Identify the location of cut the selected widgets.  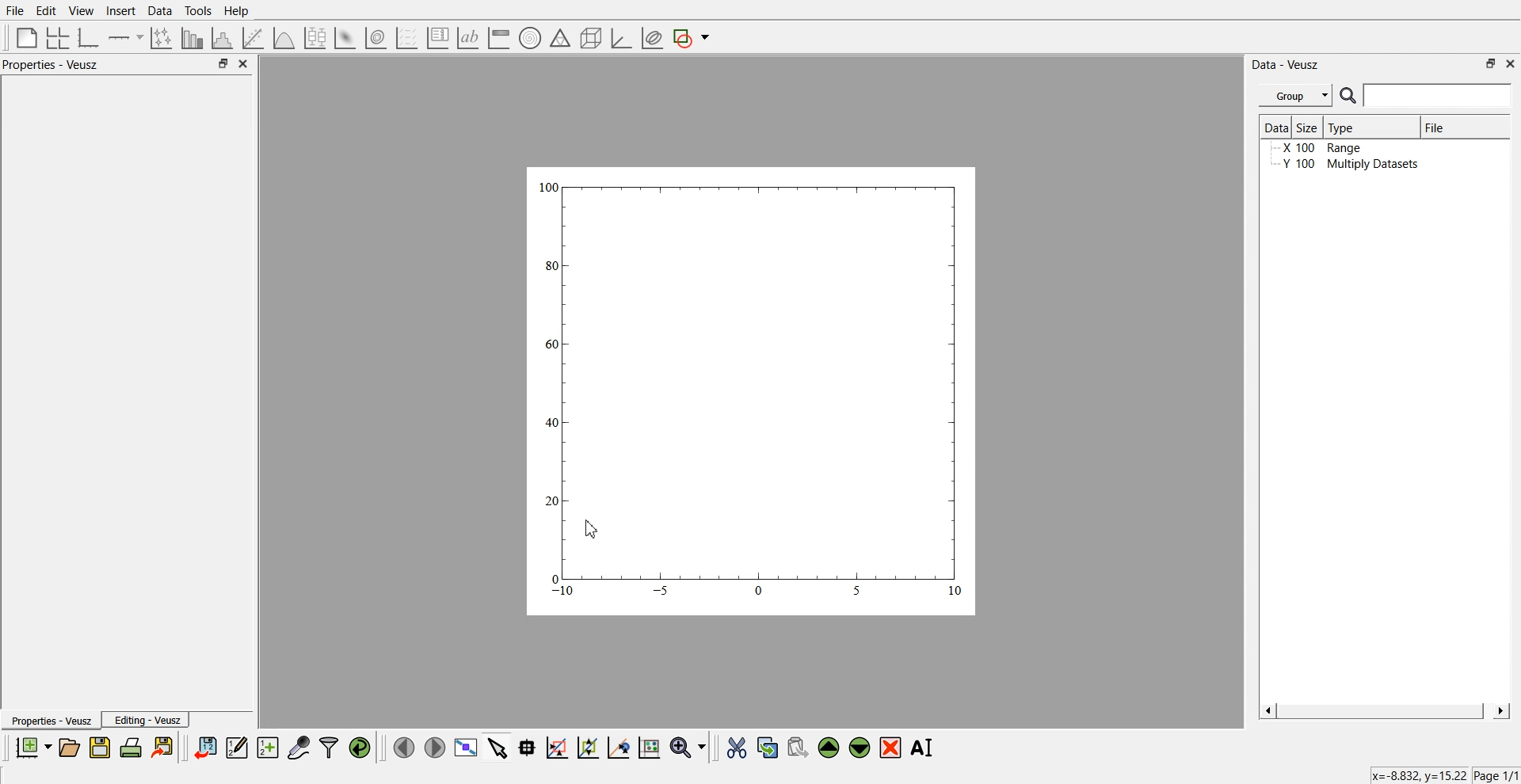
(735, 748).